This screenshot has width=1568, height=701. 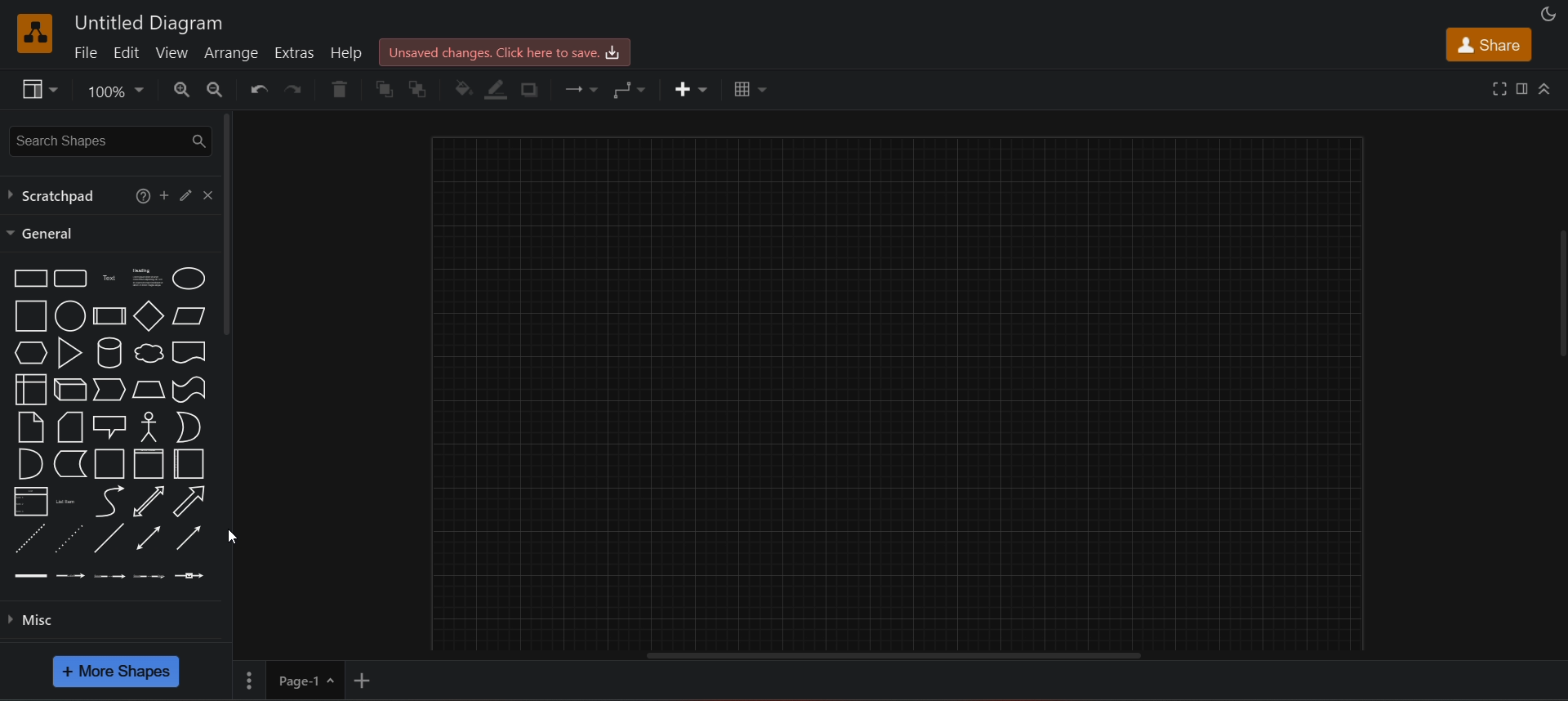 I want to click on dotted line, so click(x=71, y=538).